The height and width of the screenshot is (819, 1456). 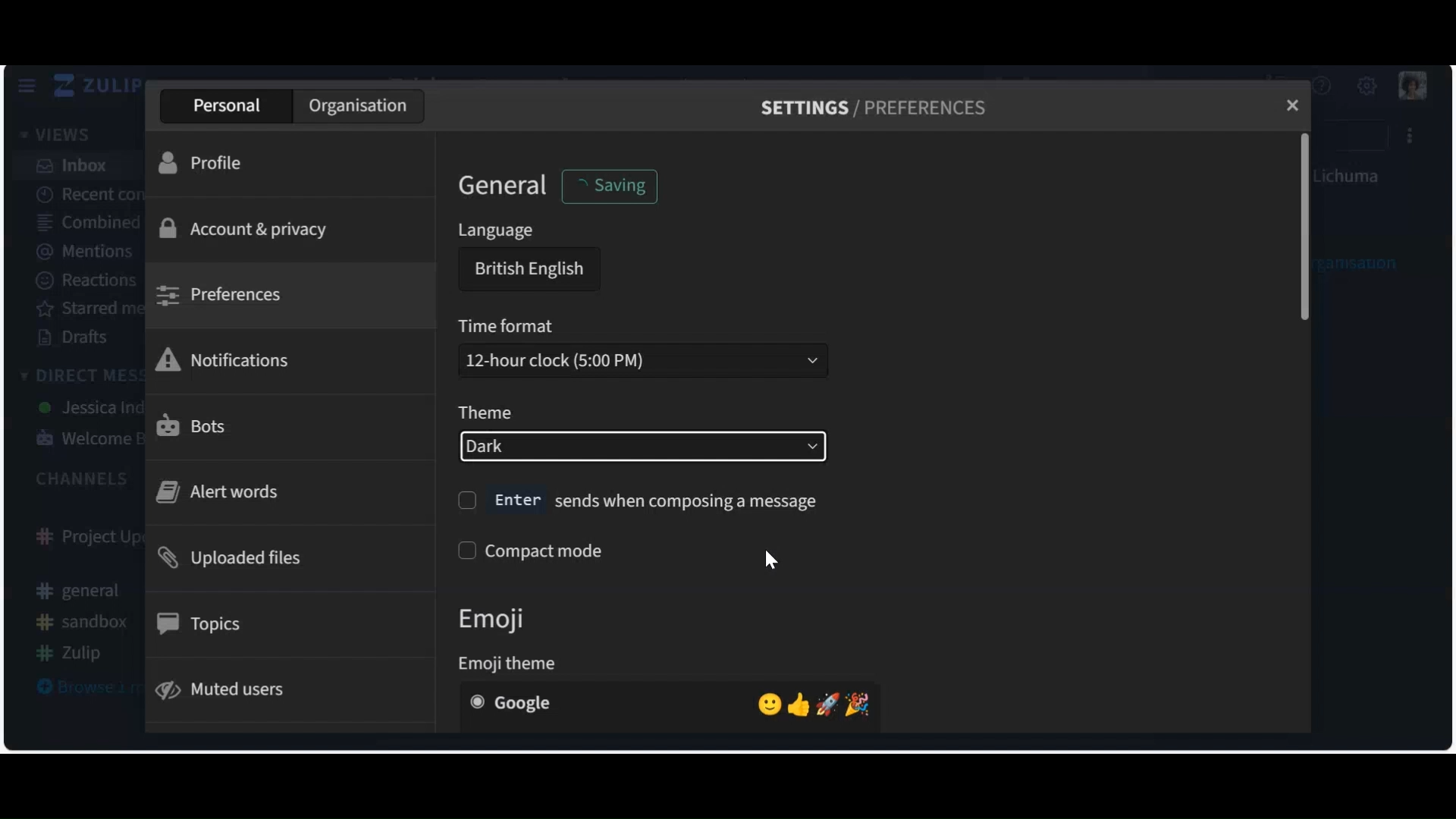 What do you see at coordinates (526, 270) in the screenshot?
I see `Language Field` at bounding box center [526, 270].